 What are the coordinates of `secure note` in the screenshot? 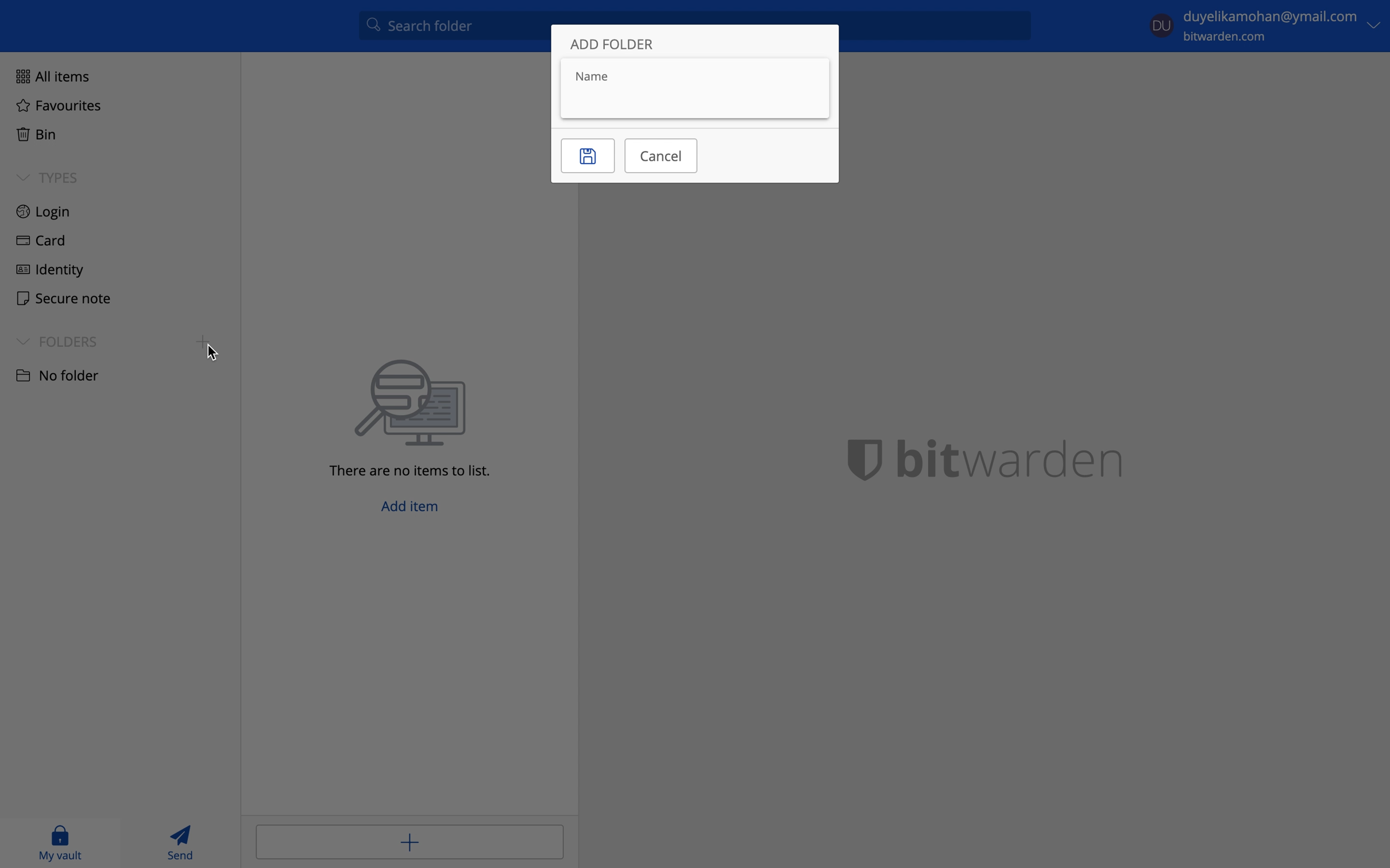 It's located at (59, 297).